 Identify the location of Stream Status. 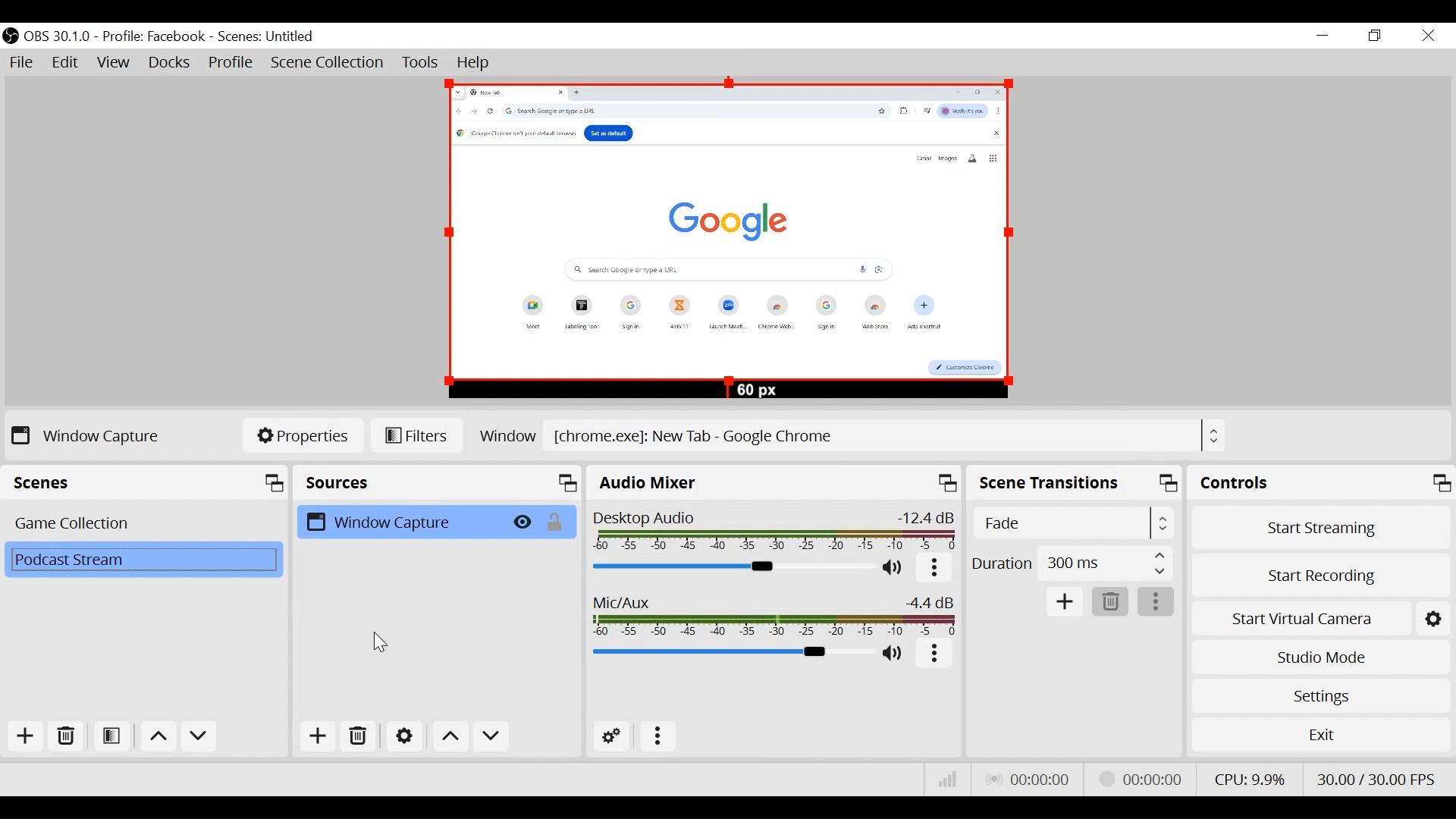
(1144, 780).